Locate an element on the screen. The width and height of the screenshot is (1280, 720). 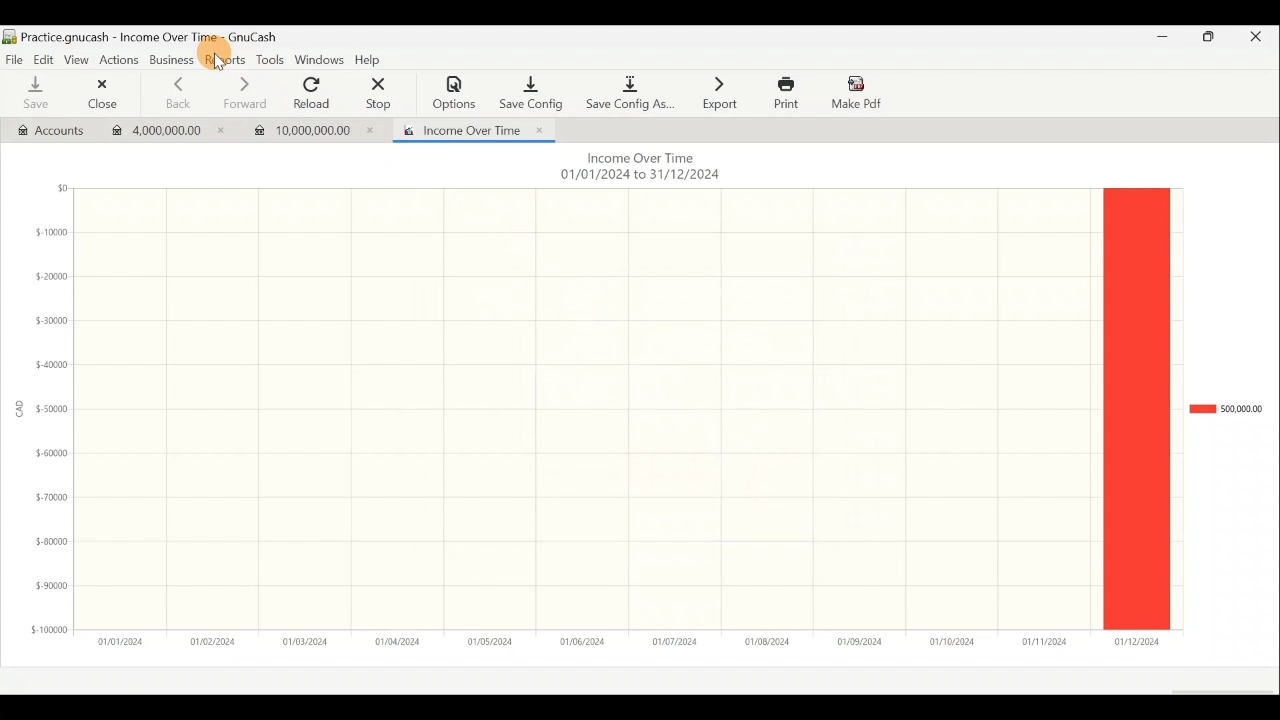
Edit is located at coordinates (40, 58).